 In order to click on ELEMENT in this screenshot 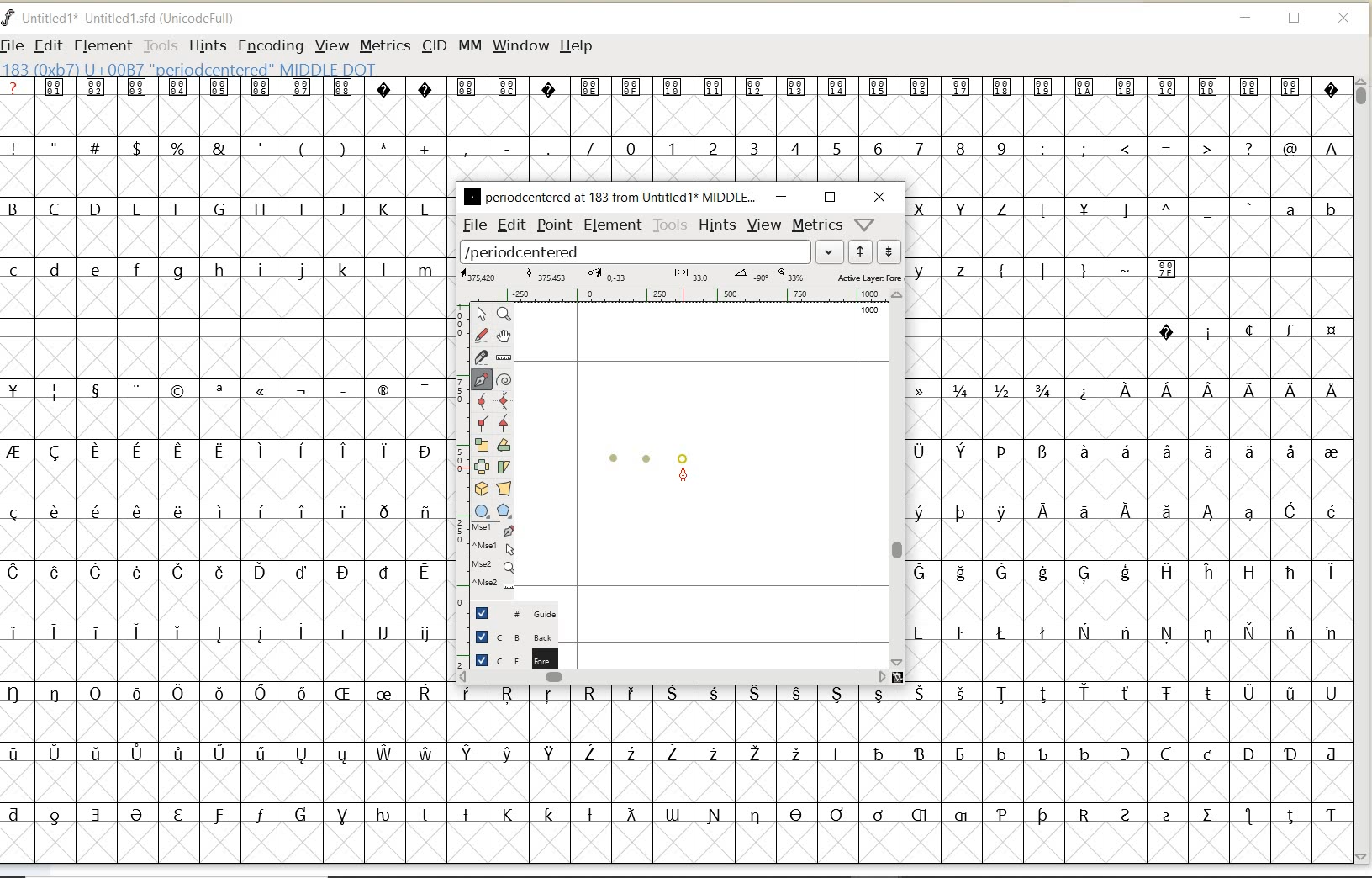, I will do `click(103, 45)`.